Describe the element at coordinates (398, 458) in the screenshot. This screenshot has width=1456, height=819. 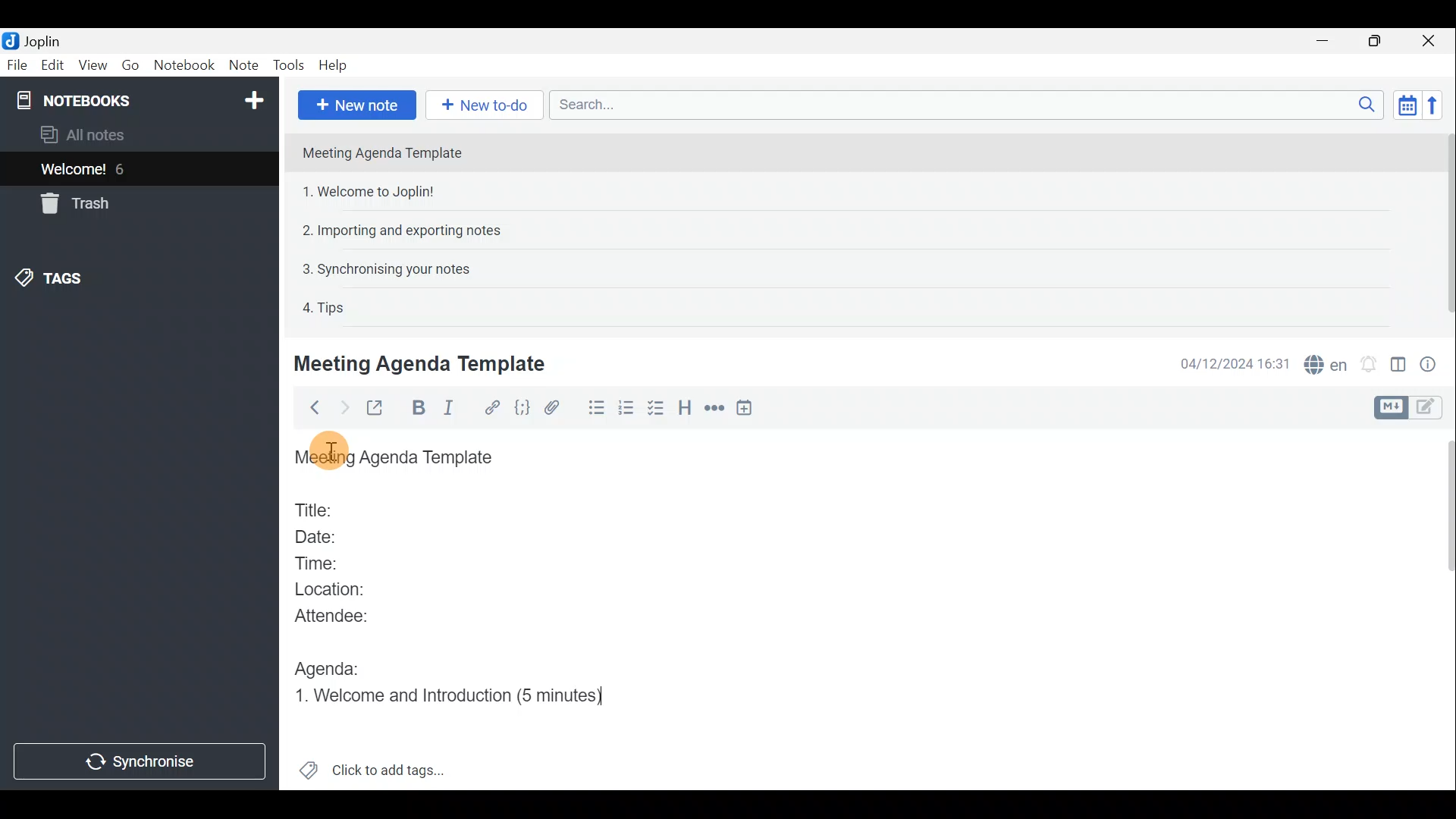
I see `Meeting Agenda Template` at that location.